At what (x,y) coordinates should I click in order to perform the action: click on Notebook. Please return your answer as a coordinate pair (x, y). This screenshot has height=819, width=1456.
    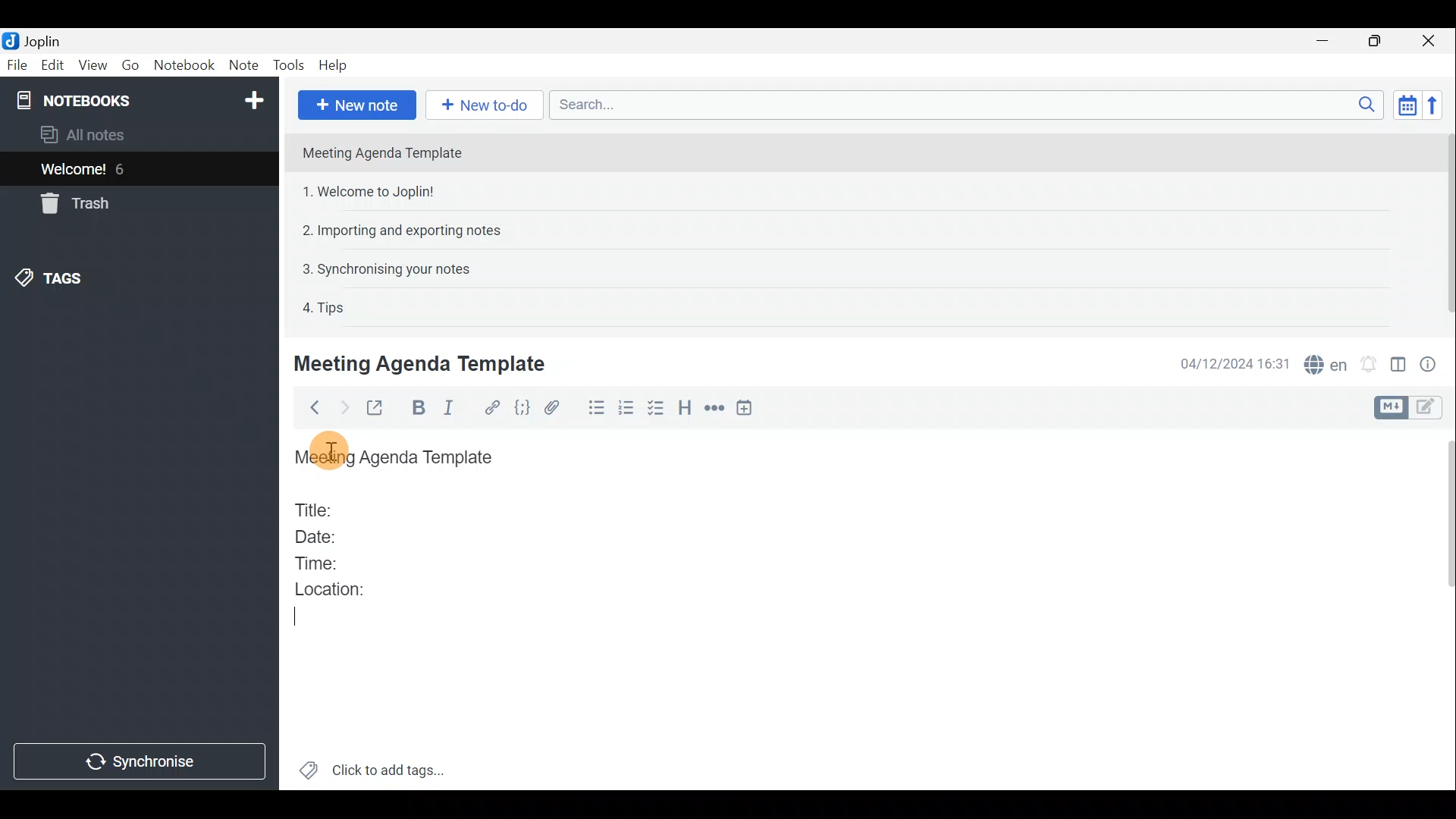
    Looking at the image, I should click on (183, 64).